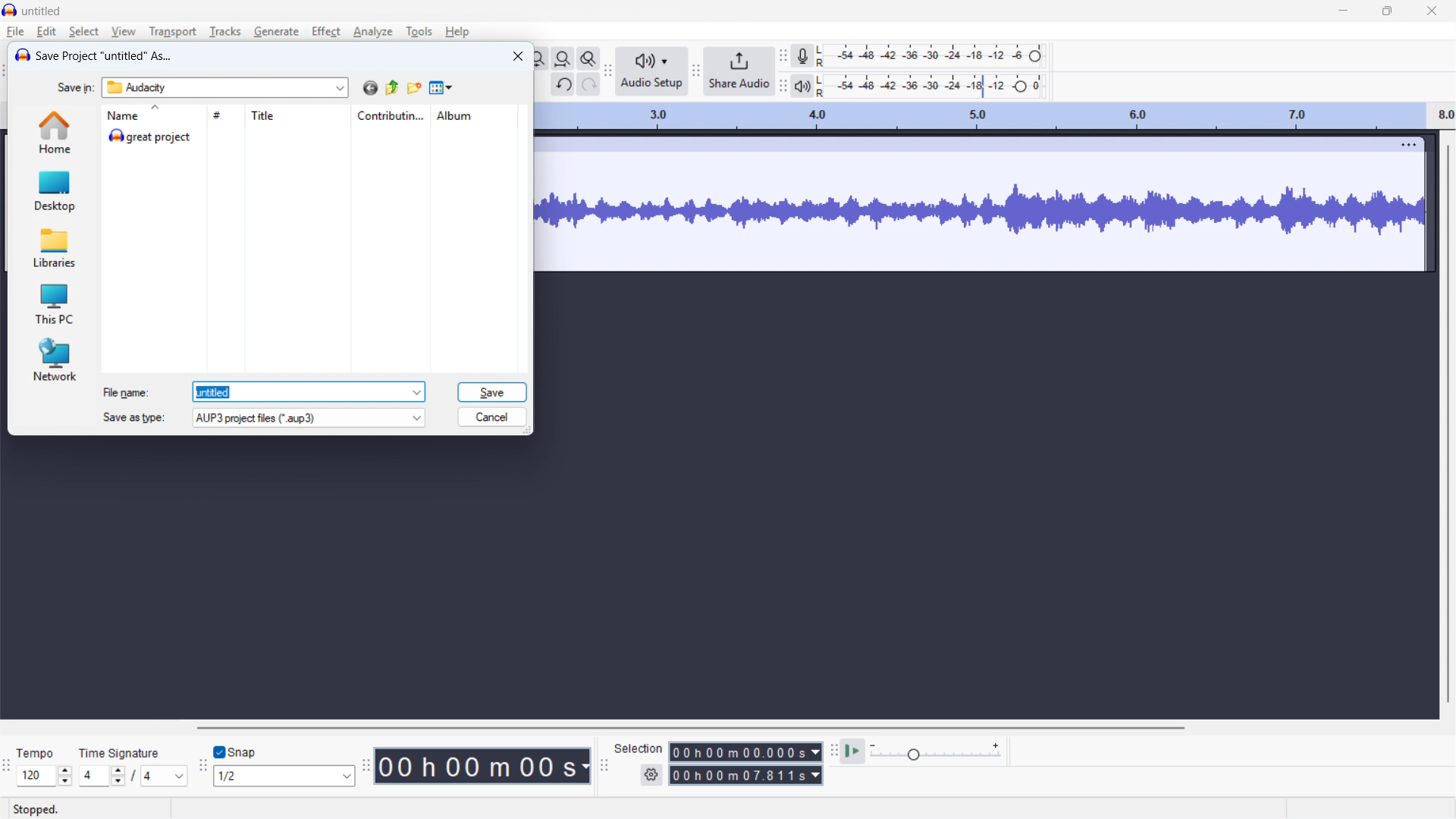 This screenshot has height=819, width=1456. What do you see at coordinates (783, 87) in the screenshot?
I see `playback meter toolbar` at bounding box center [783, 87].